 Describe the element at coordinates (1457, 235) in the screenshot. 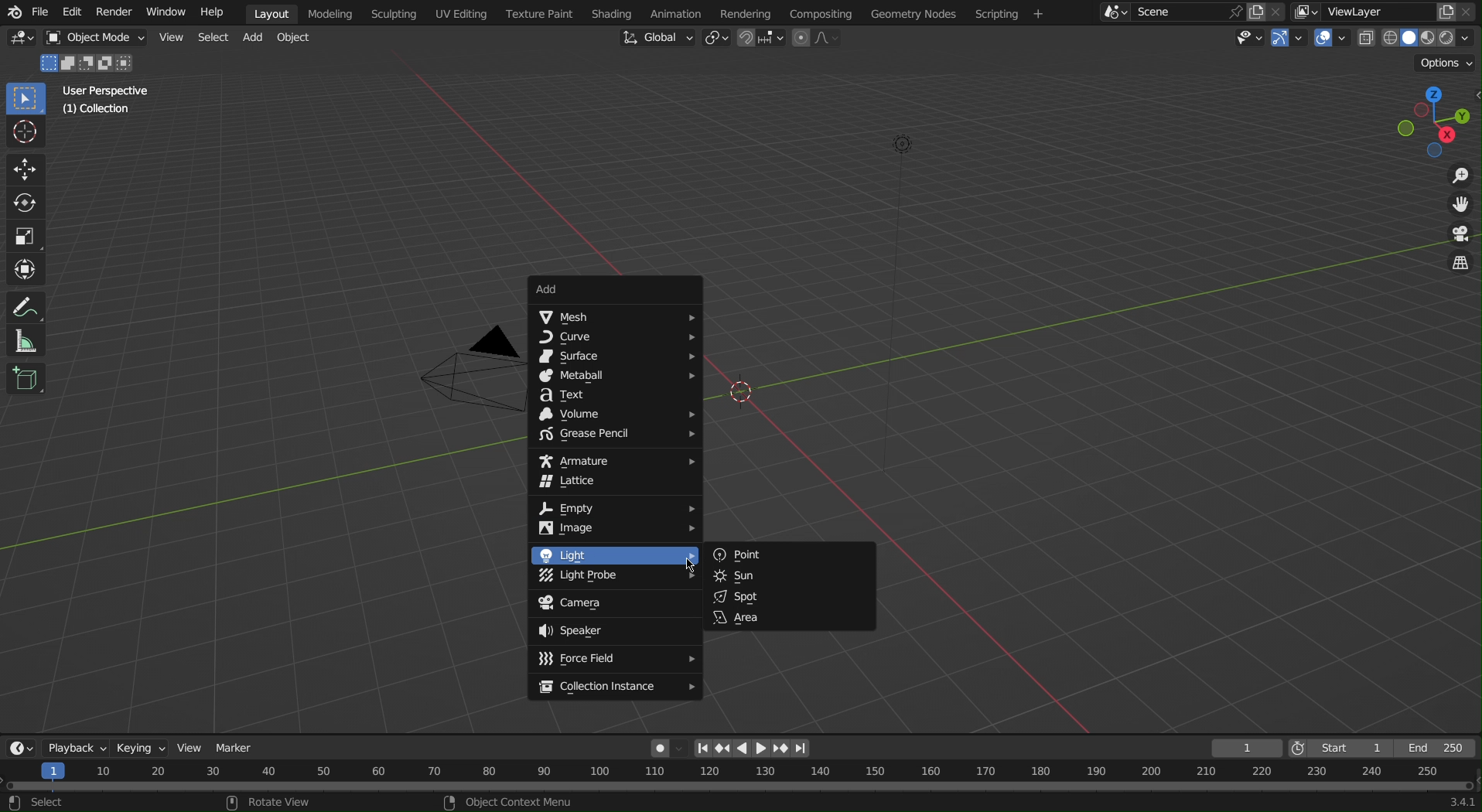

I see `Camera View` at that location.